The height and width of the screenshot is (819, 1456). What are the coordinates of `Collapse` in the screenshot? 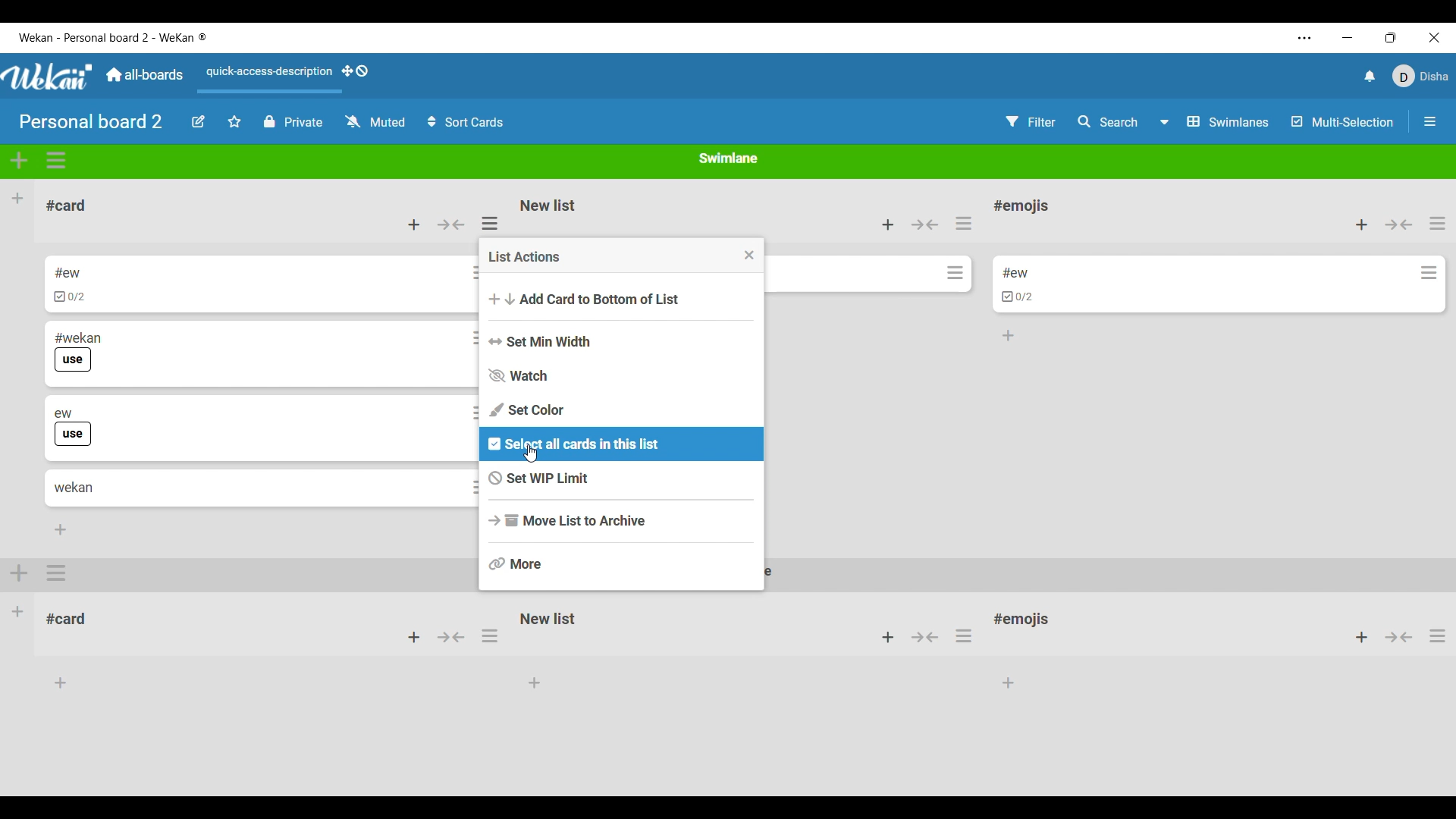 It's located at (924, 224).